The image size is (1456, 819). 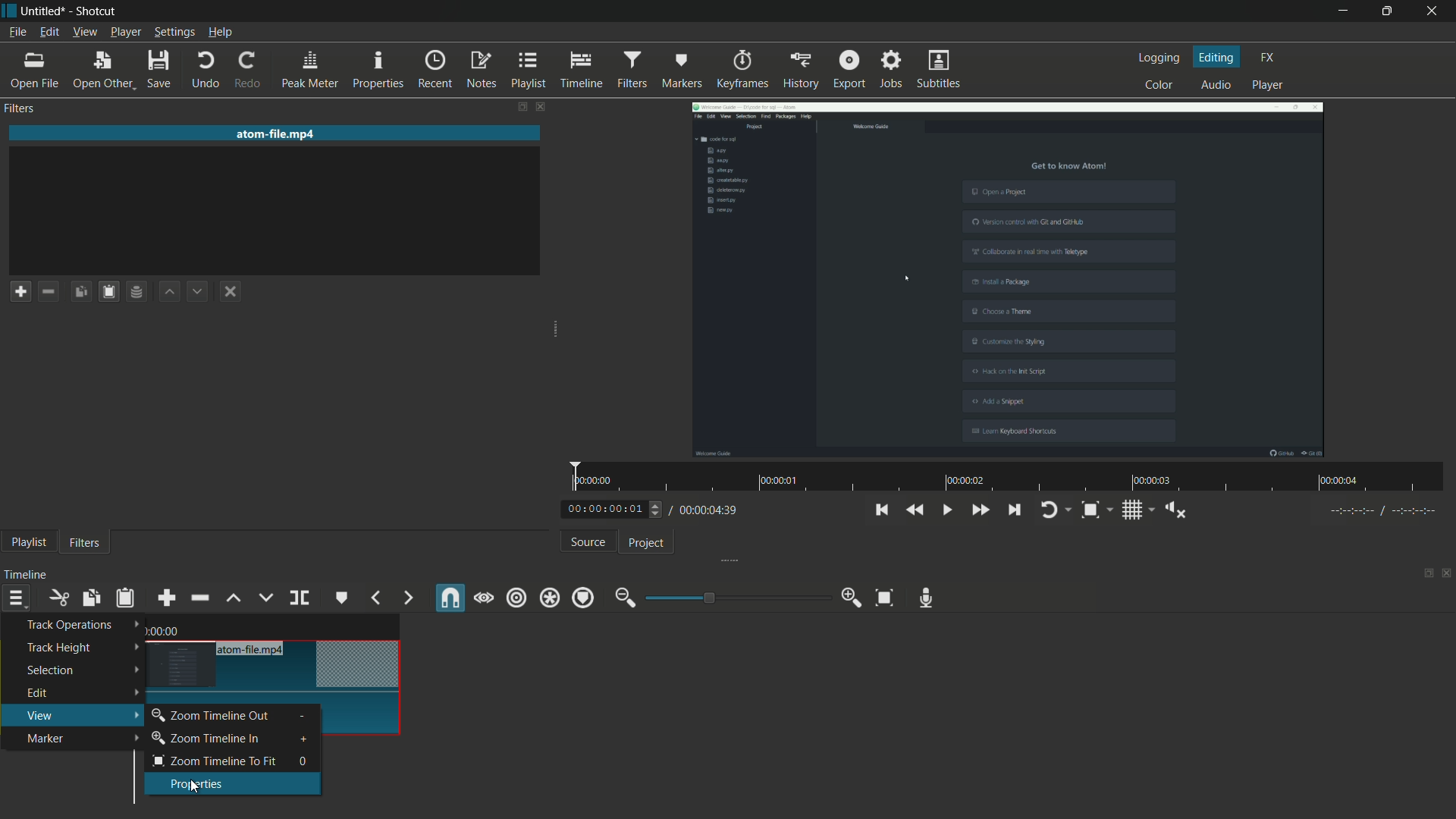 What do you see at coordinates (125, 598) in the screenshot?
I see `paste` at bounding box center [125, 598].